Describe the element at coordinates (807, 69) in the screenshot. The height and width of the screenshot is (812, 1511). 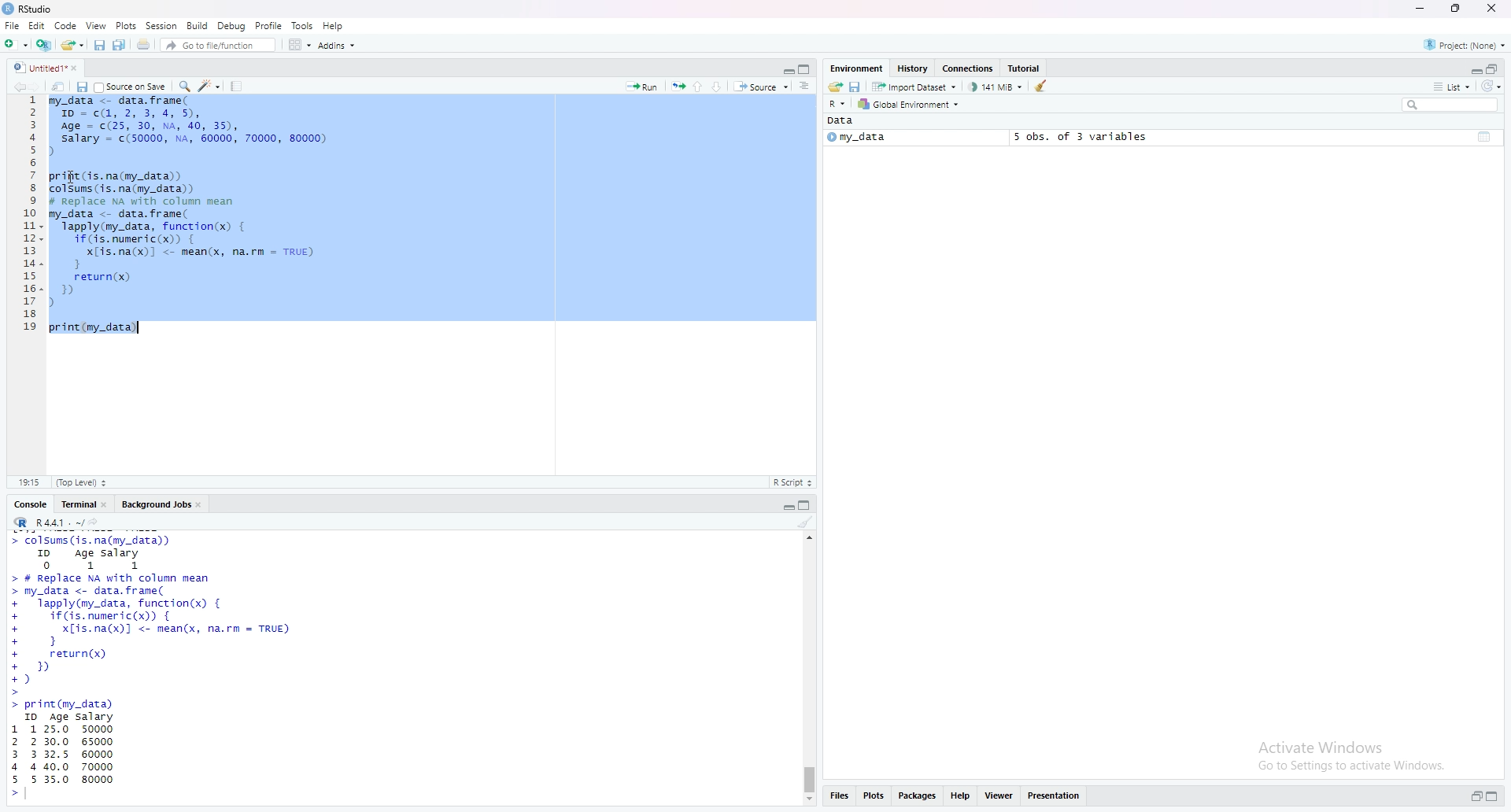
I see `collapse` at that location.